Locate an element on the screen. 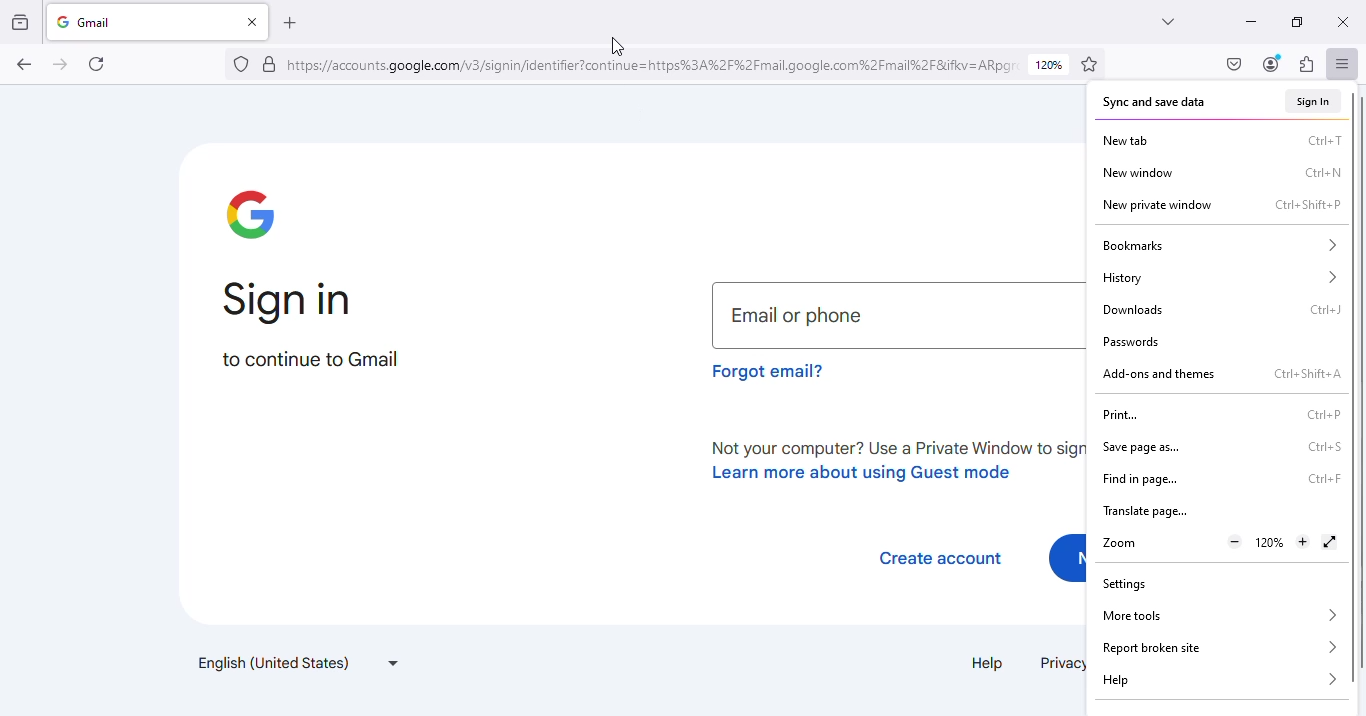 The height and width of the screenshot is (716, 1366). list all tabs is located at coordinates (1169, 22).